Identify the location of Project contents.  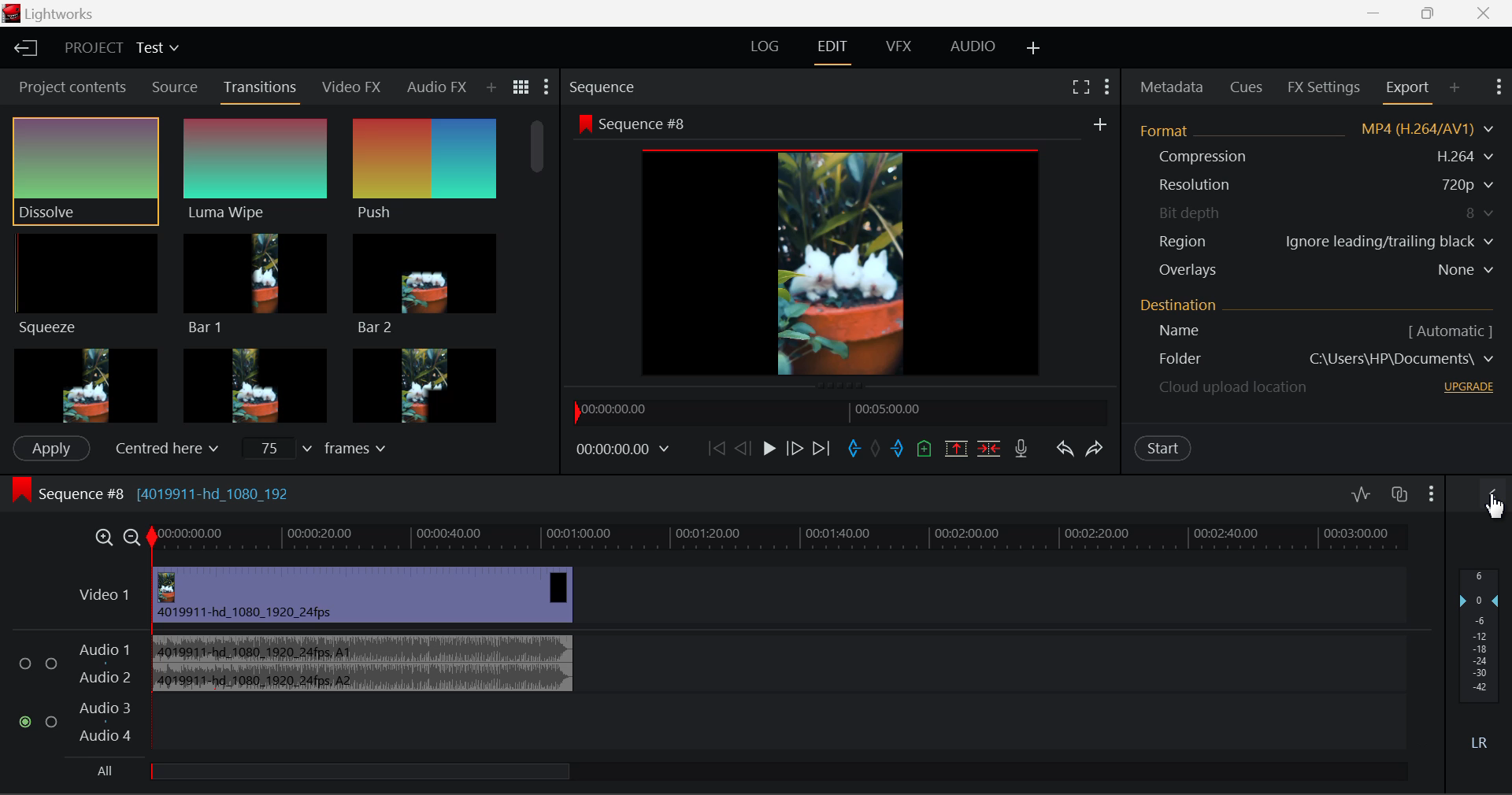
(67, 87).